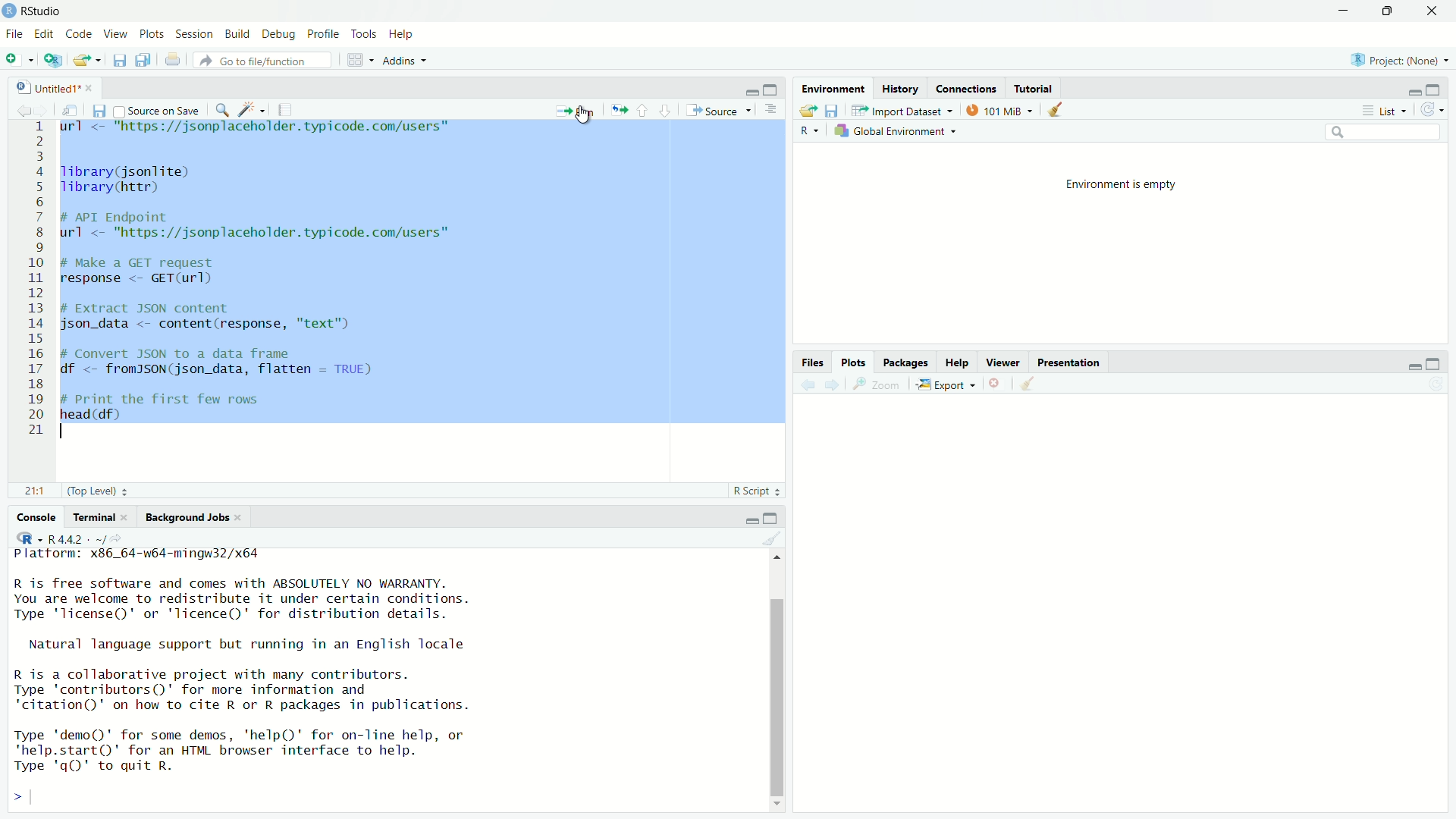 The image size is (1456, 819). What do you see at coordinates (1059, 110) in the screenshot?
I see `Clear objects` at bounding box center [1059, 110].